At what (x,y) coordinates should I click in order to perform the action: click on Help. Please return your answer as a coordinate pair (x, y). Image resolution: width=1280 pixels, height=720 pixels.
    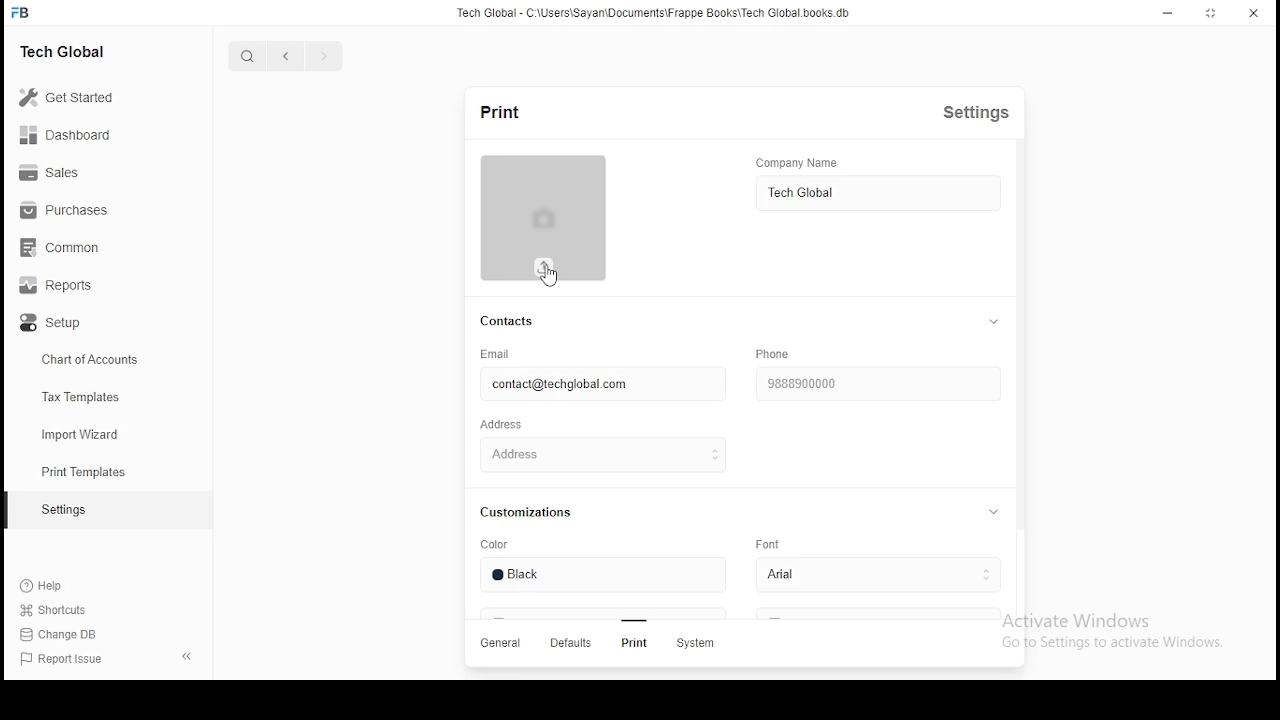
    Looking at the image, I should click on (56, 588).